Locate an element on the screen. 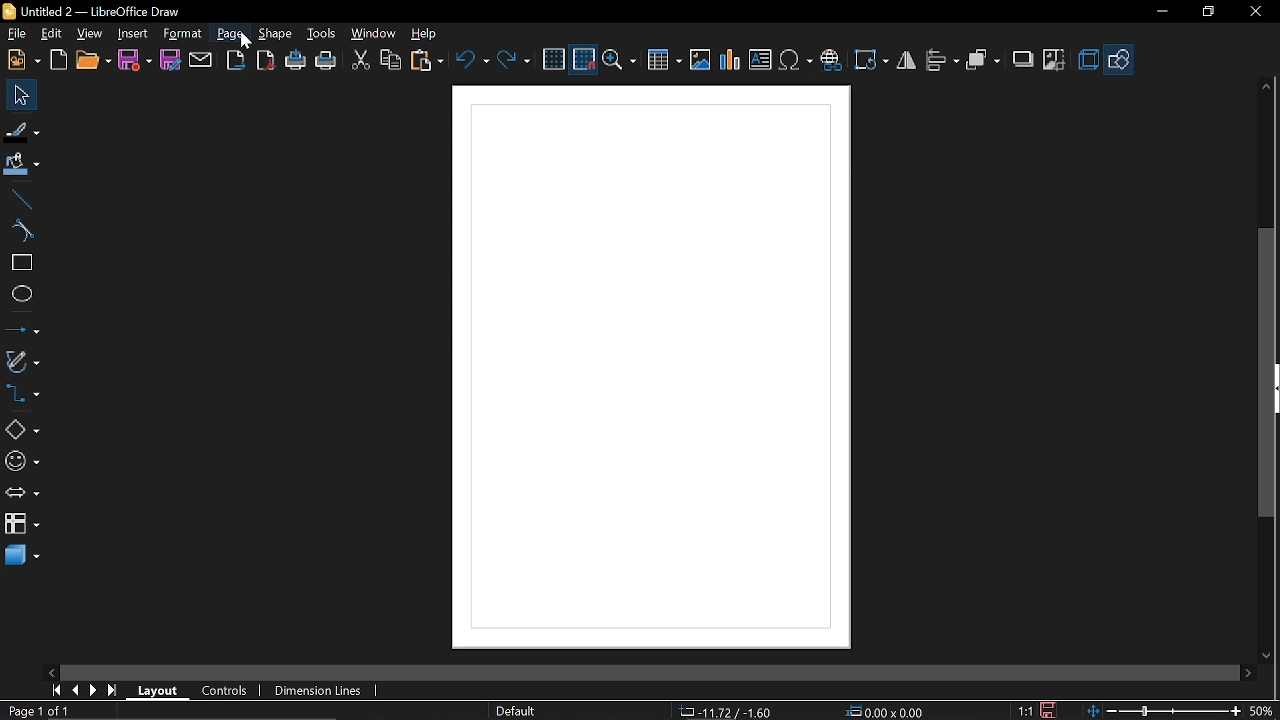 This screenshot has height=720, width=1280. Connectors is located at coordinates (22, 393).